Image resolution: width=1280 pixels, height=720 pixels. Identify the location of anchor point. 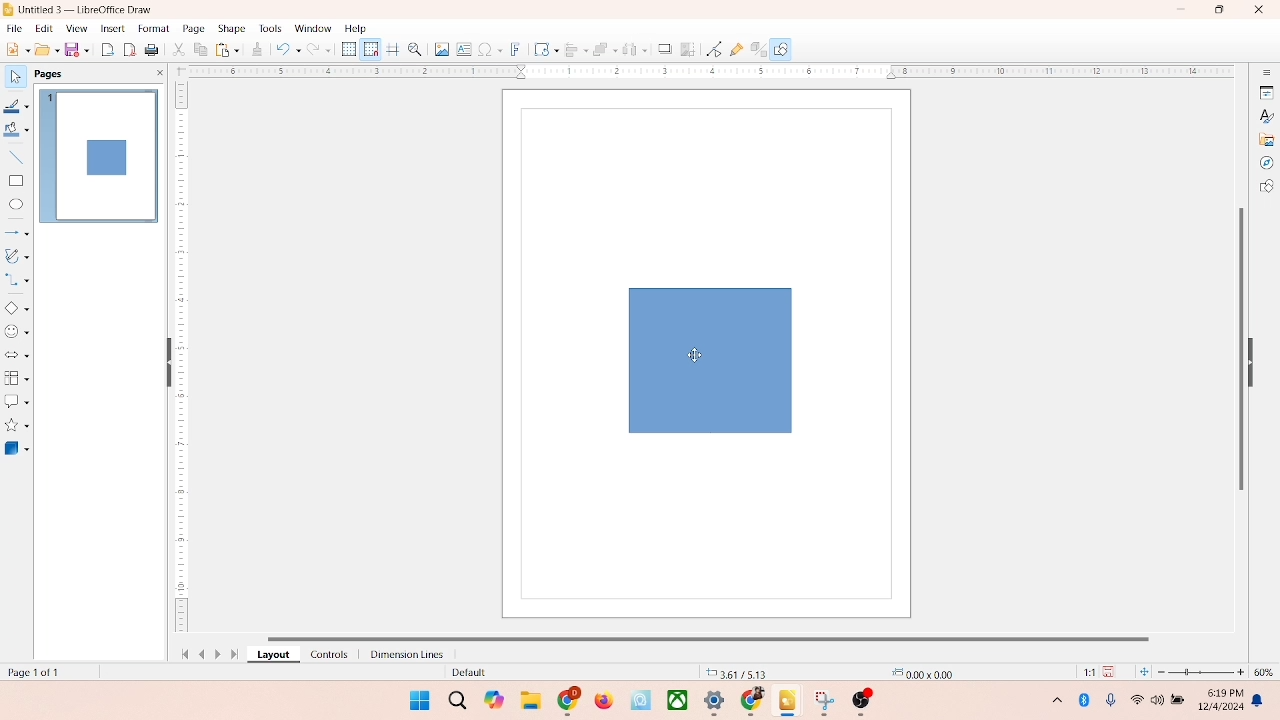
(920, 671).